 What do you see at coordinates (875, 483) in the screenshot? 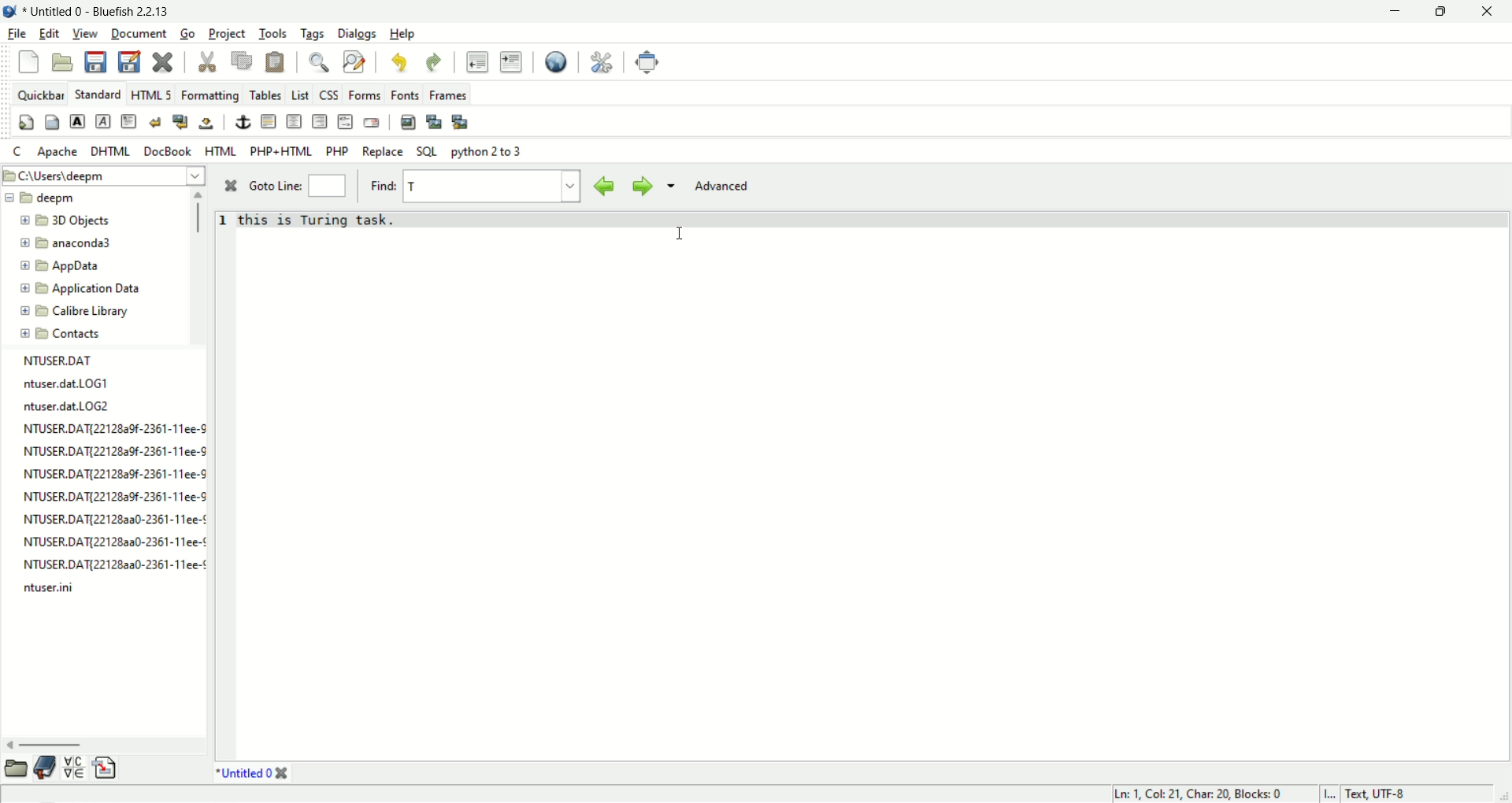
I see `editor` at bounding box center [875, 483].